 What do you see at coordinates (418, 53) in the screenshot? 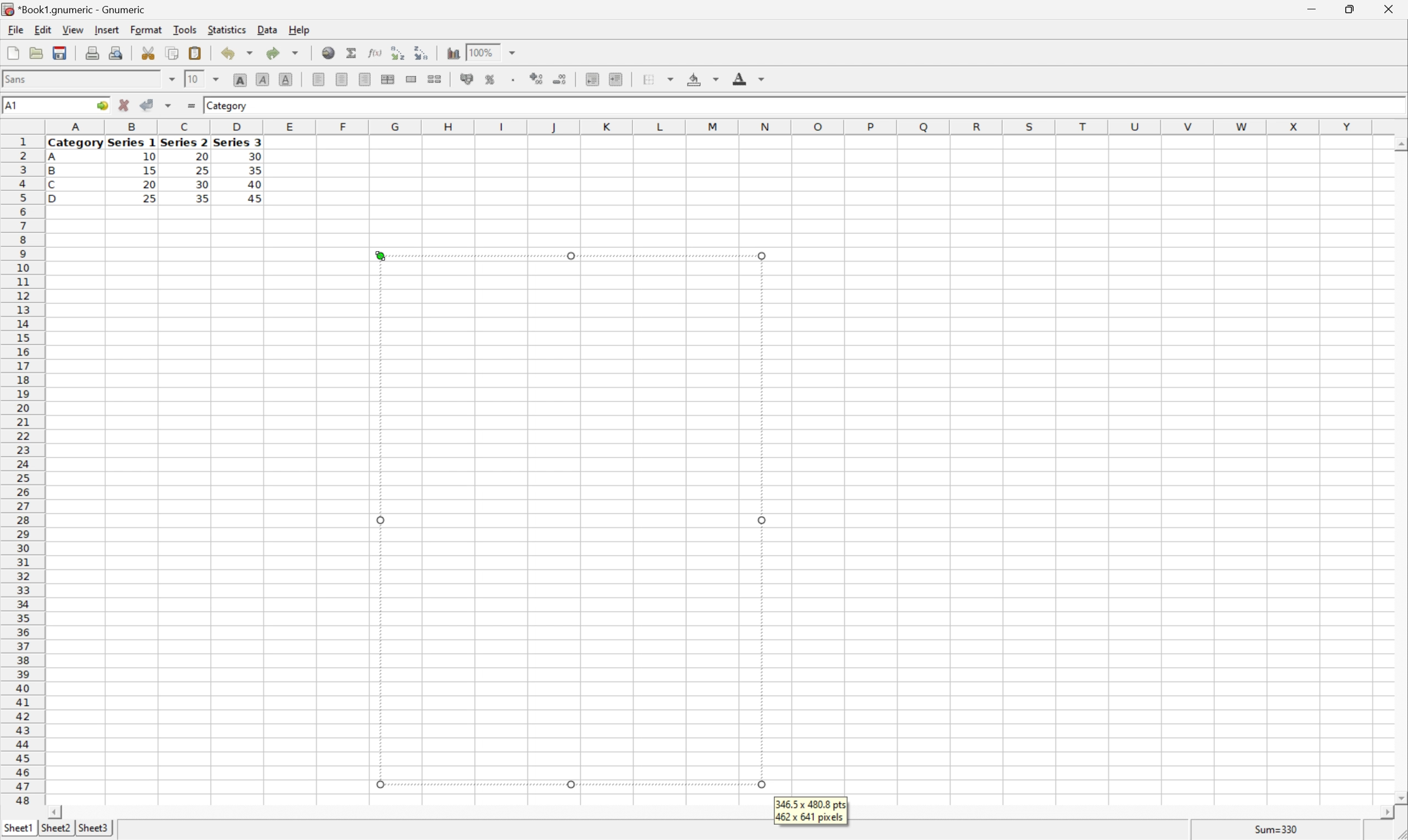
I see `Sort the selected region in descending order based on the first column selected` at bounding box center [418, 53].